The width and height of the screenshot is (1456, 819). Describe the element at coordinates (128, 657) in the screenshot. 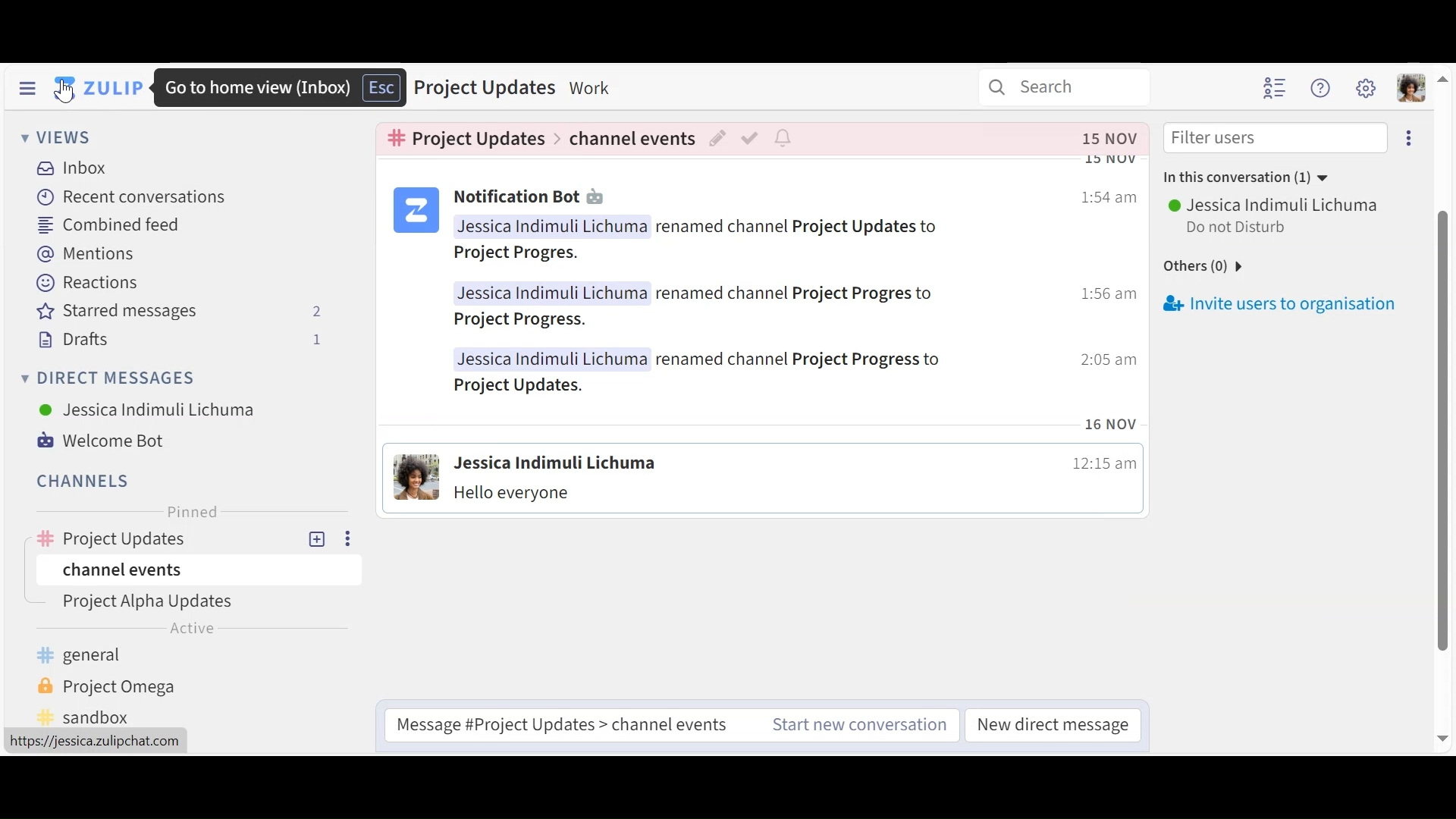

I see `general` at that location.